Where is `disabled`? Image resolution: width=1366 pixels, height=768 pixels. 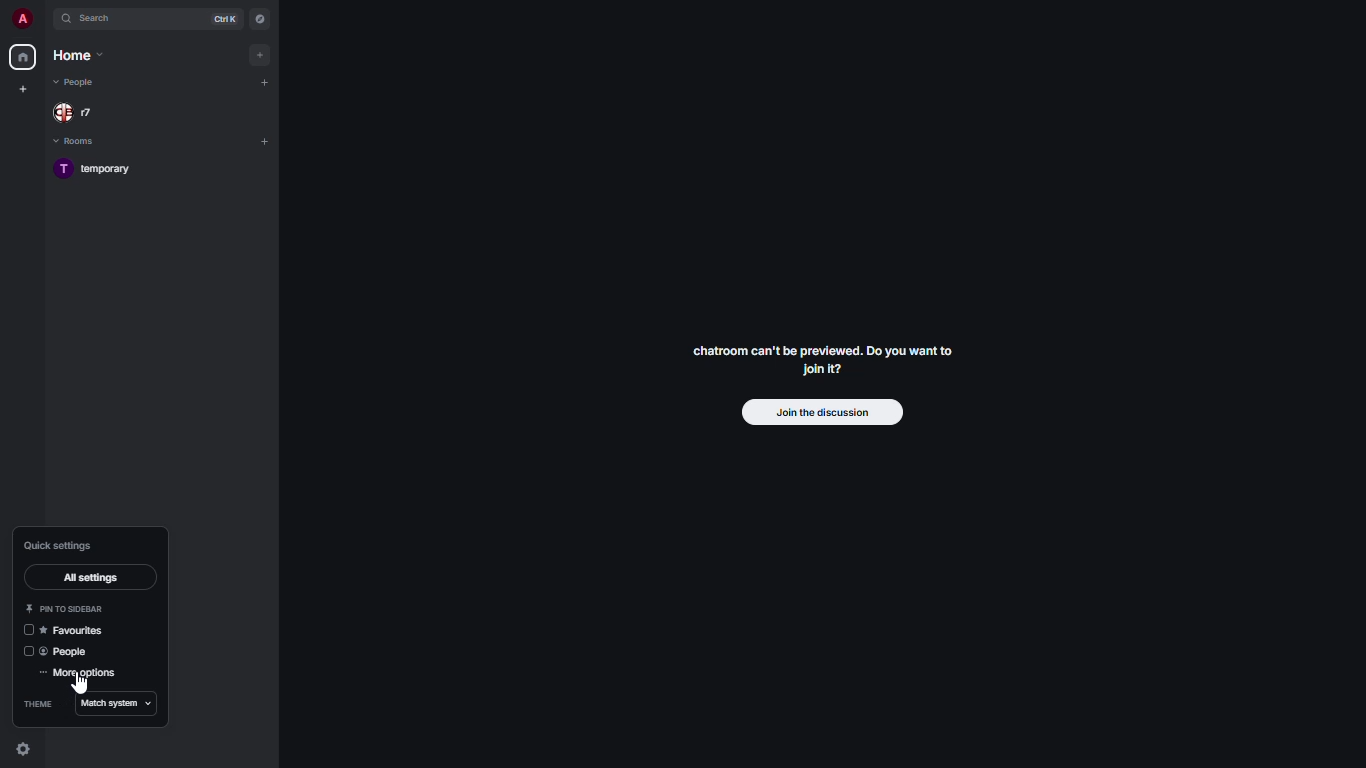 disabled is located at coordinates (27, 630).